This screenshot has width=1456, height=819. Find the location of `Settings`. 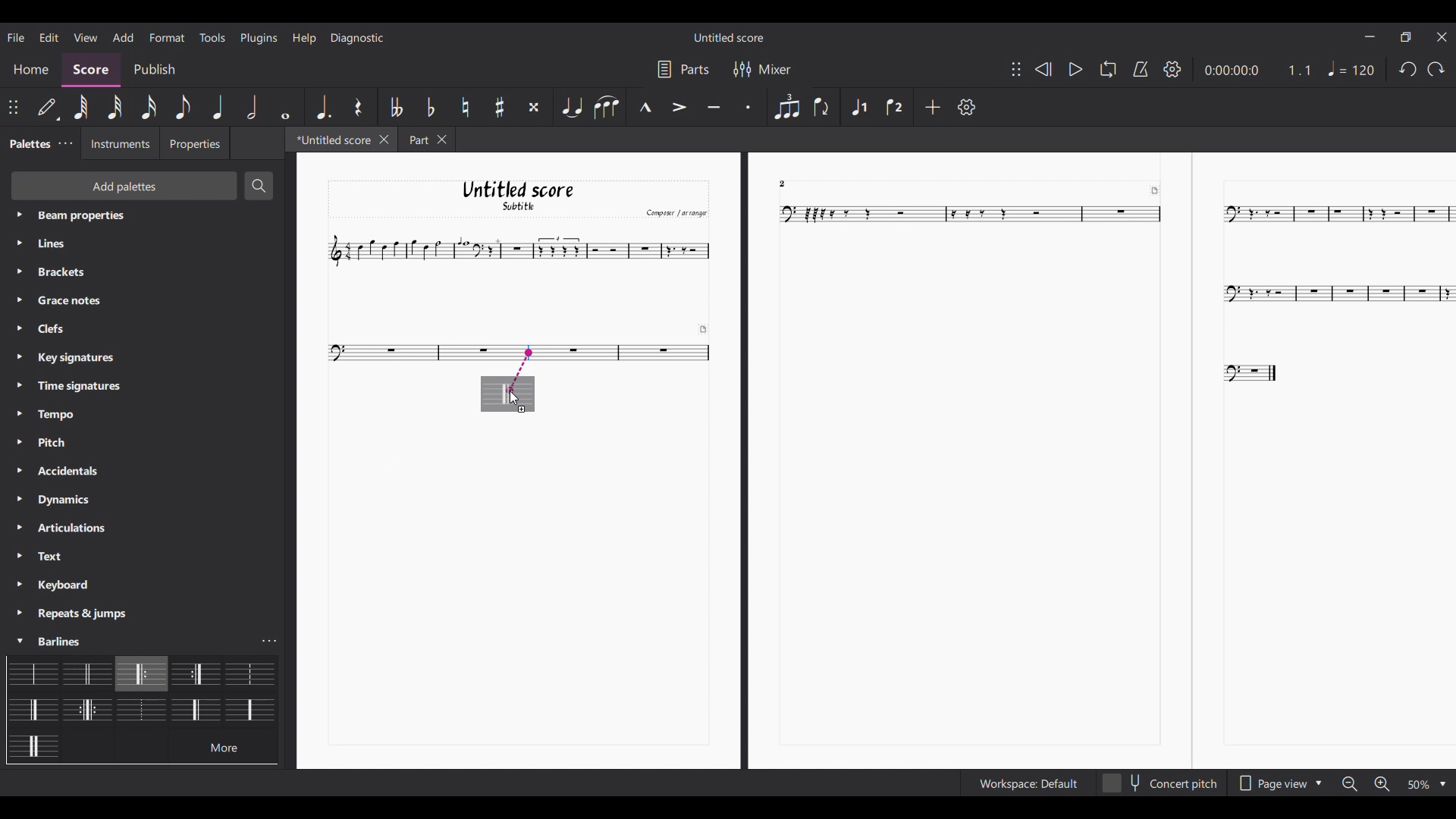

Settings is located at coordinates (967, 107).